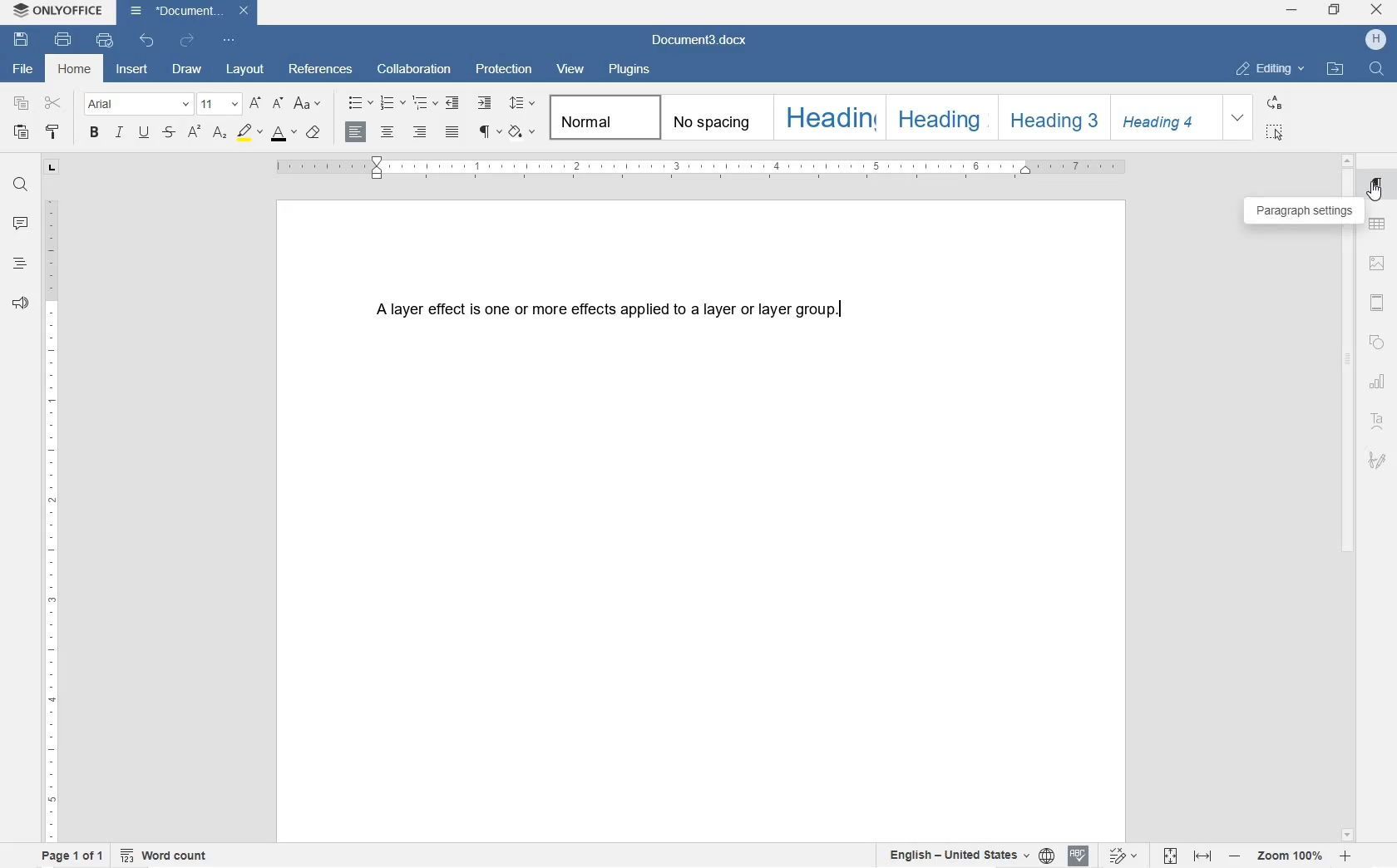 The height and width of the screenshot is (868, 1397). I want to click on BOLD, so click(95, 133).